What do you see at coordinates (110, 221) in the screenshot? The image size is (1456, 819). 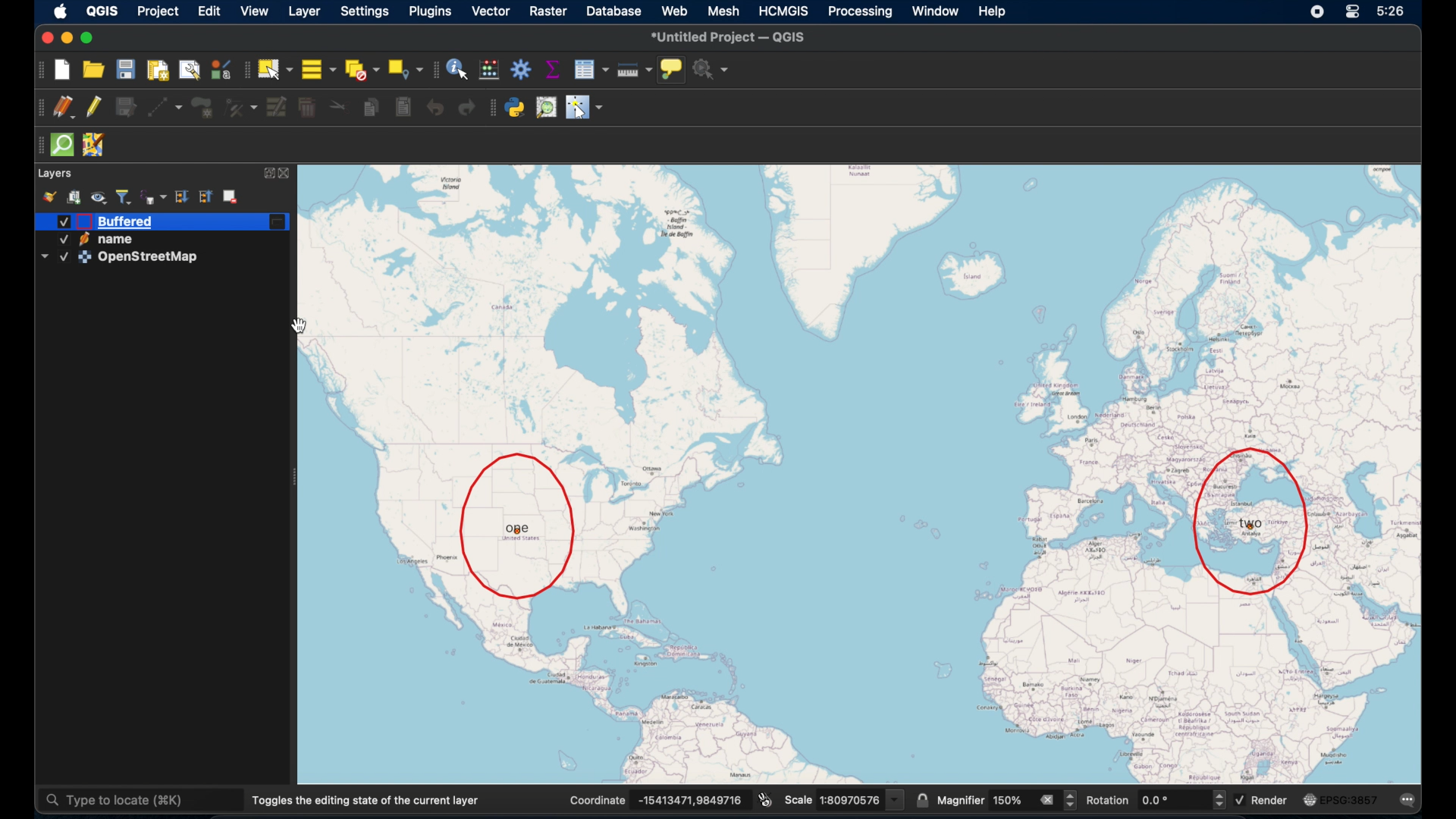 I see `active buffered layer` at bounding box center [110, 221].